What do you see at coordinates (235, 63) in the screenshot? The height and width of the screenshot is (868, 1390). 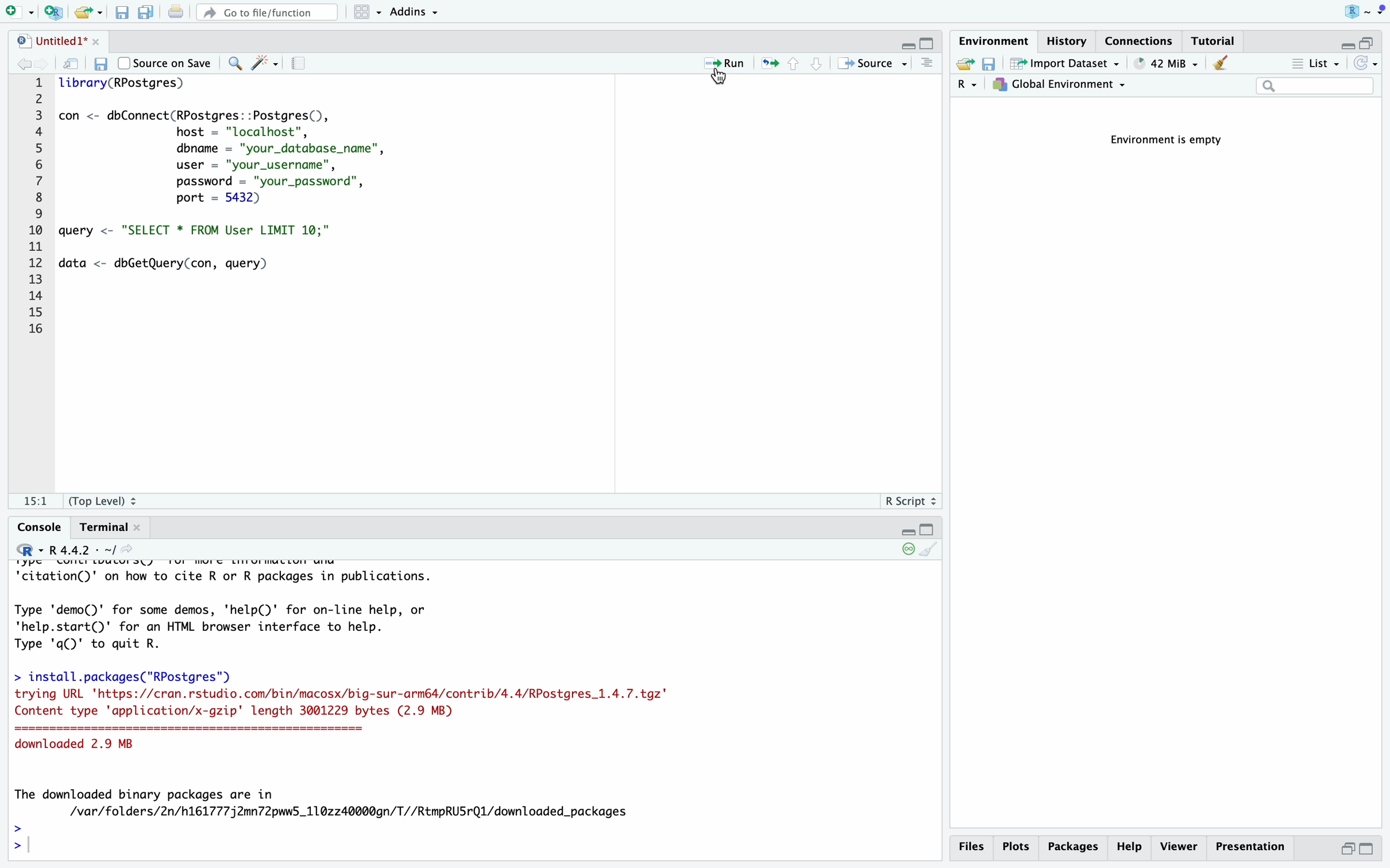 I see `find/replace` at bounding box center [235, 63].